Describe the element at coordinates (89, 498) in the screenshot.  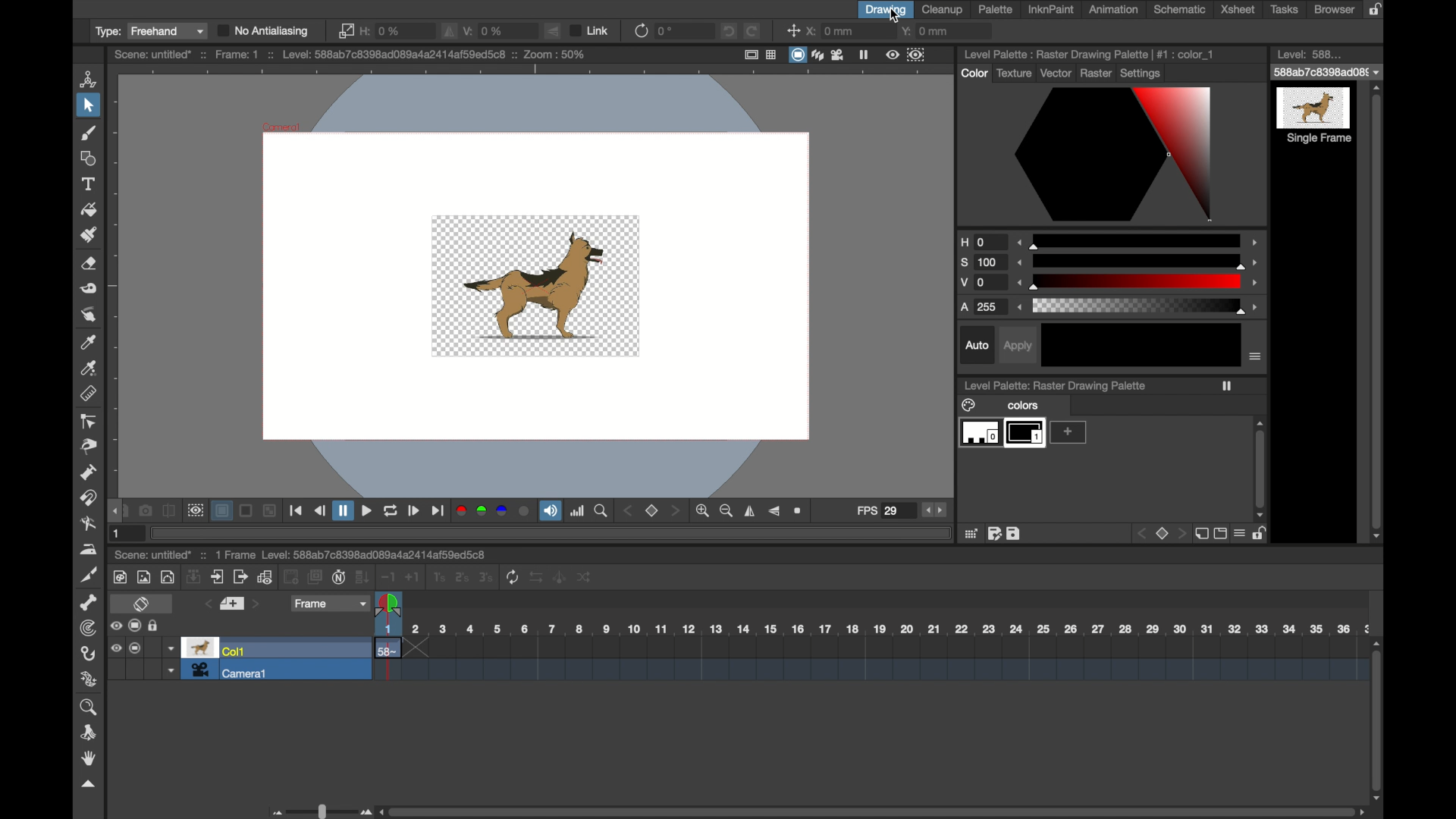
I see `magnet tool` at that location.